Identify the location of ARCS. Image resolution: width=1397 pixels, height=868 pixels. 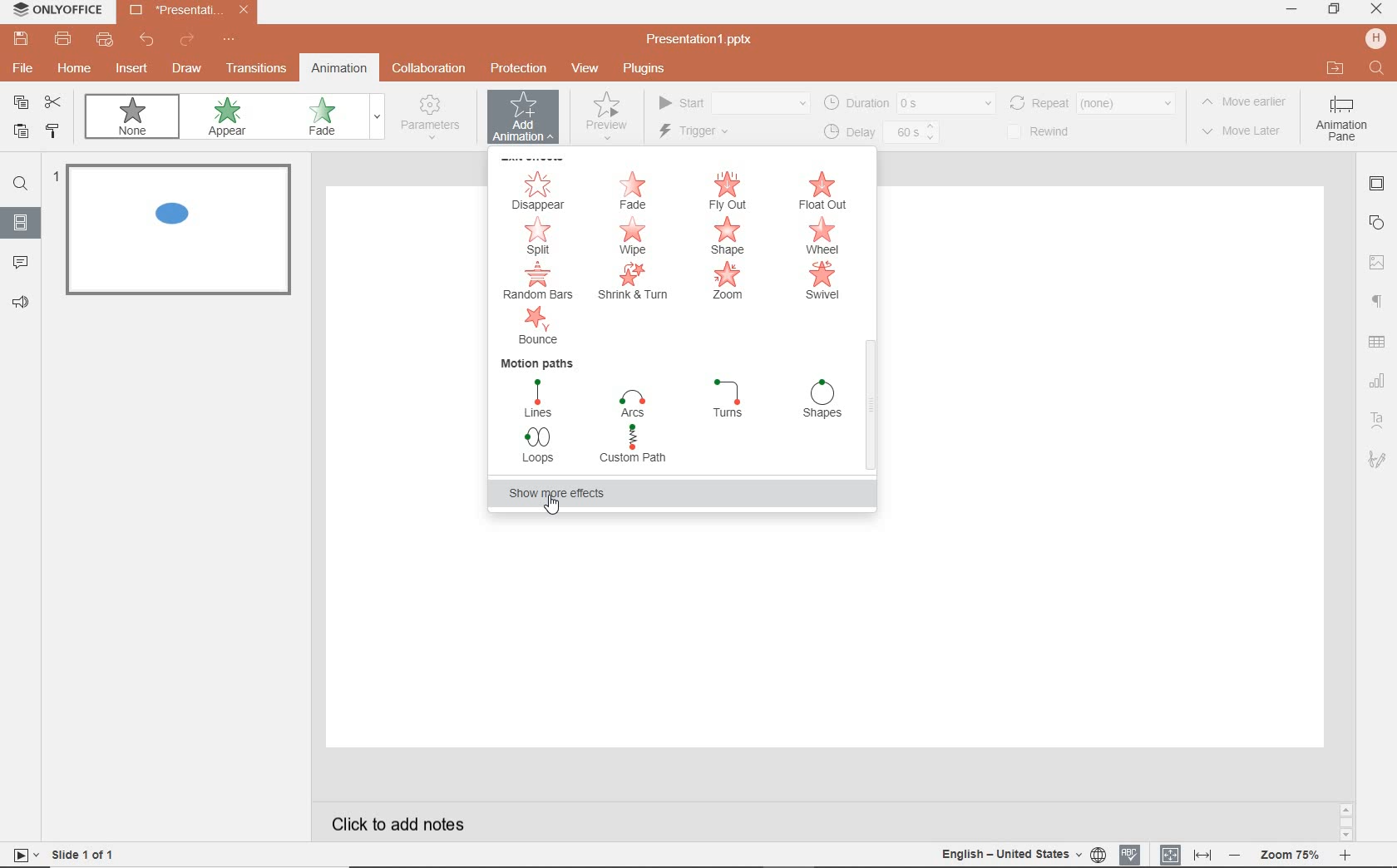
(632, 401).